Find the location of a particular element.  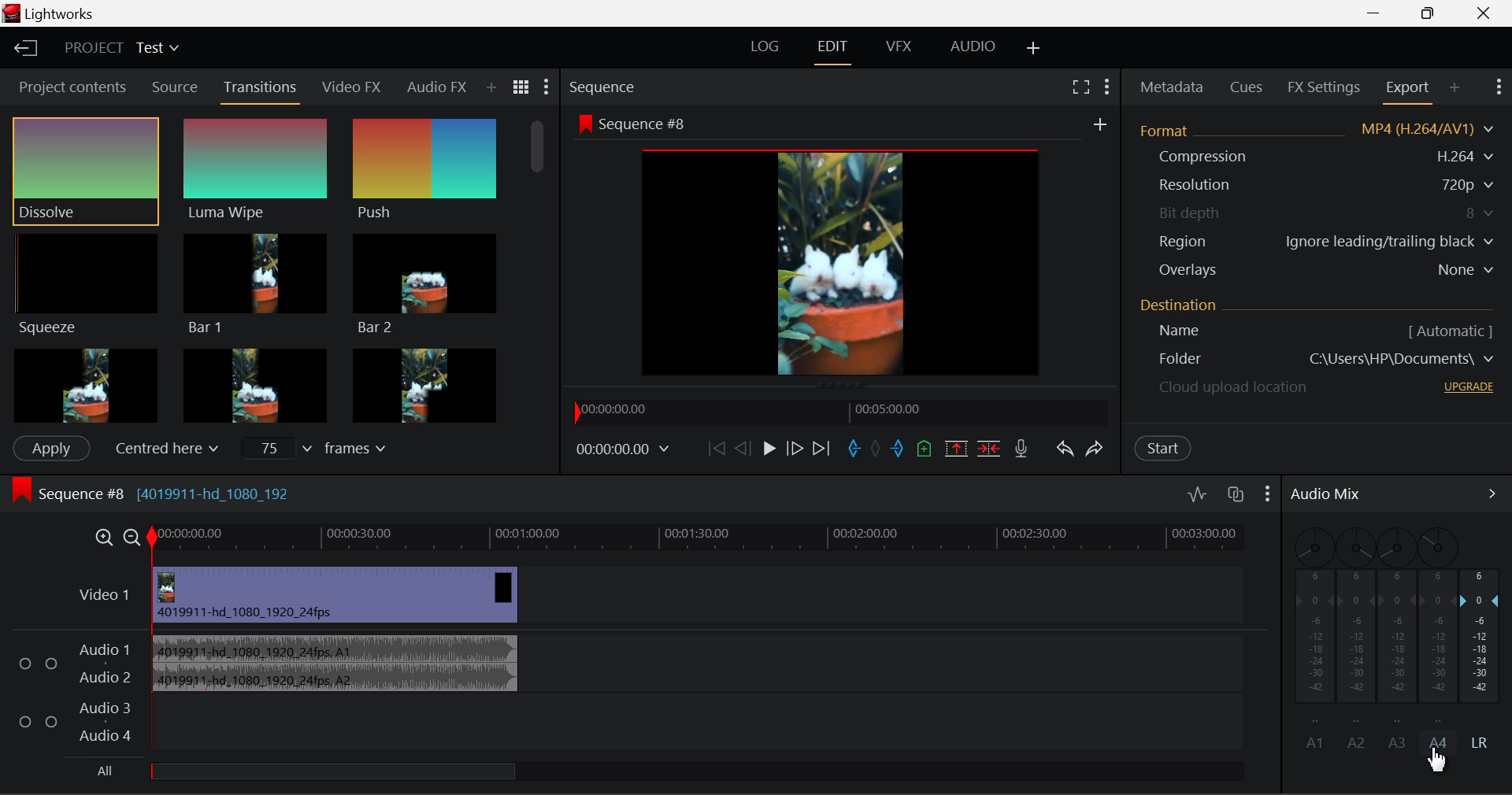

LOG Layout is located at coordinates (765, 46).